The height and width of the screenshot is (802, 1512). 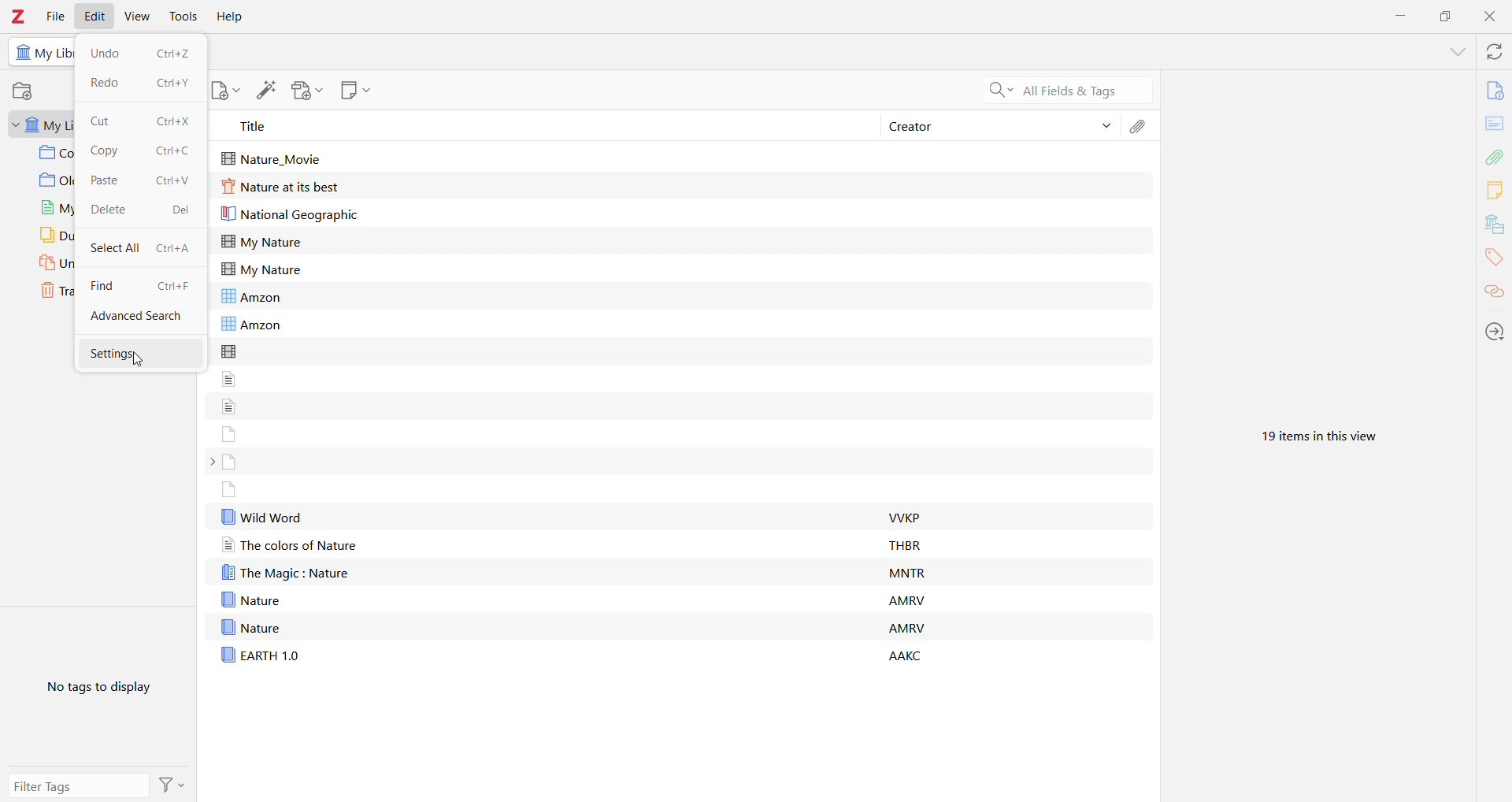 What do you see at coordinates (276, 157) in the screenshot?
I see `Nature_Movie` at bounding box center [276, 157].